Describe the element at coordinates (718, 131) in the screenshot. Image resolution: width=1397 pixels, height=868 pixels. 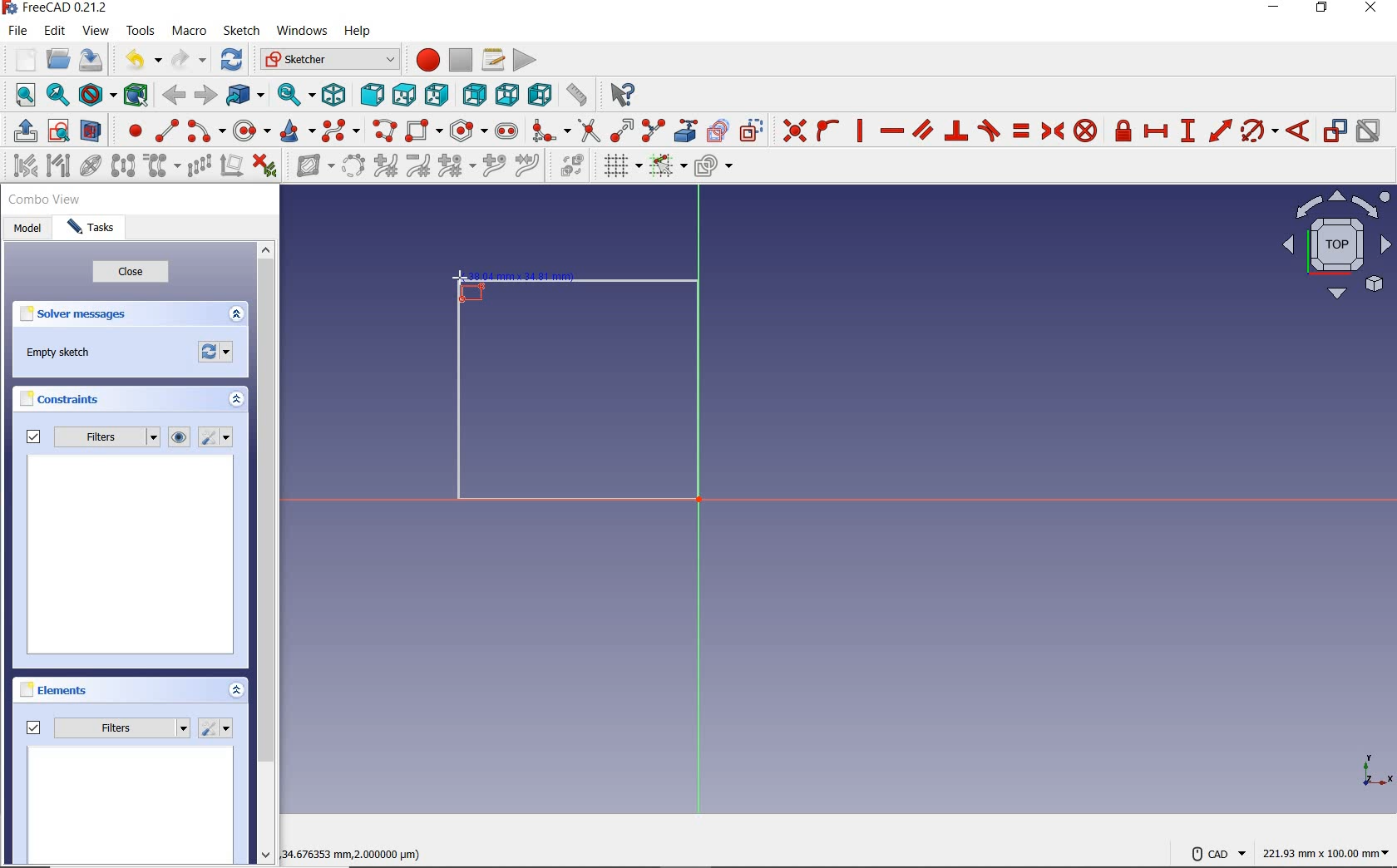
I see `create carbon copy` at that location.